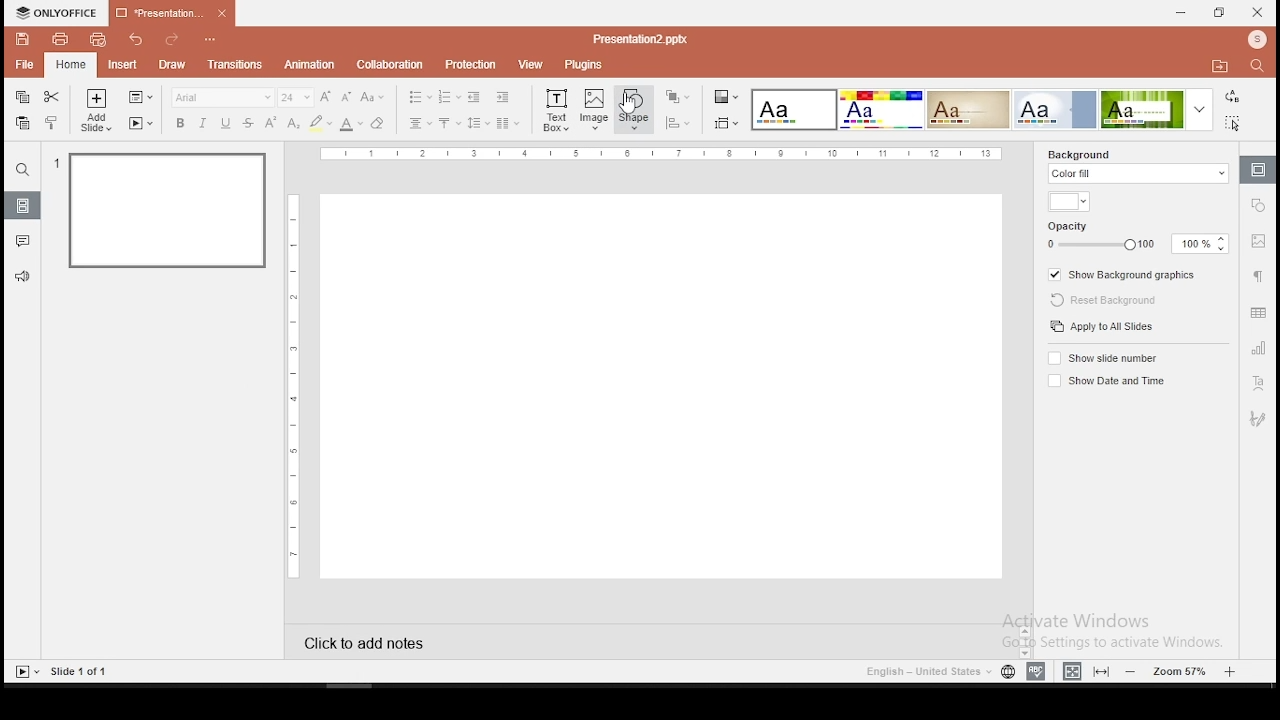 The image size is (1280, 720). I want to click on quick print, so click(97, 39).